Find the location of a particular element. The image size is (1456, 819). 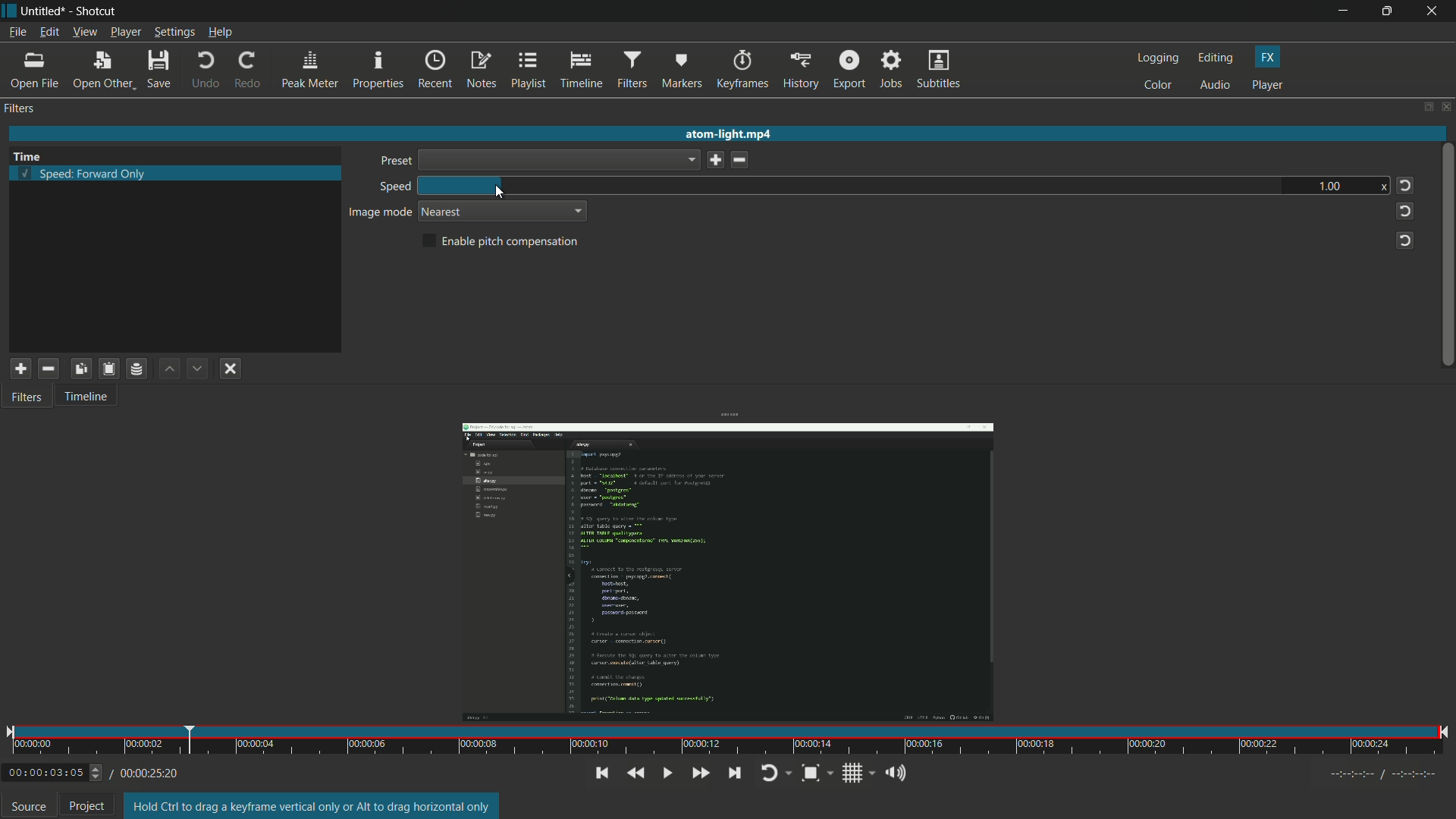

editing is located at coordinates (1216, 58).